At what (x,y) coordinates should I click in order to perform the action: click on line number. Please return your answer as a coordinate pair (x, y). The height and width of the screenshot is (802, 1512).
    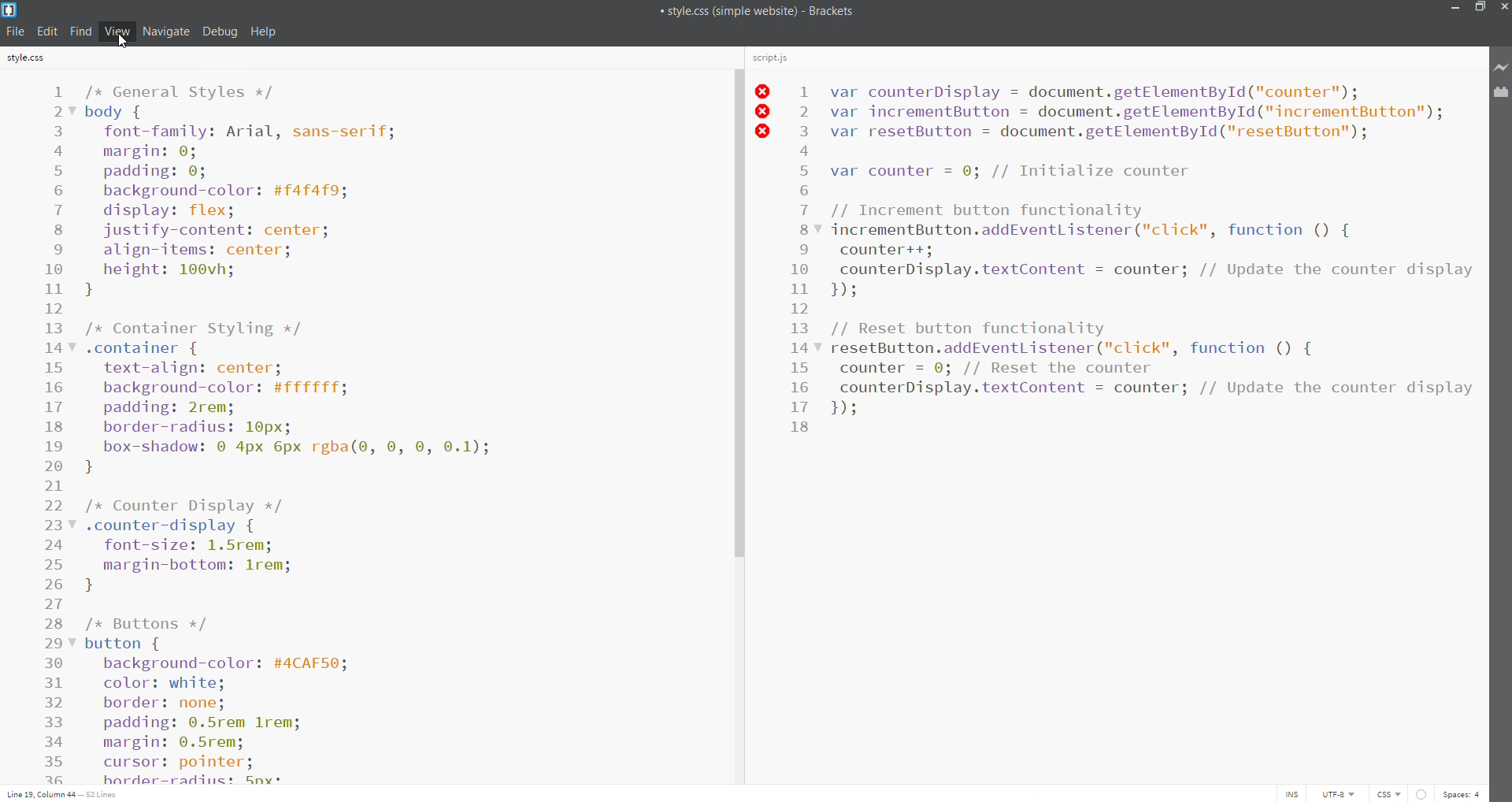
    Looking at the image, I should click on (55, 433).